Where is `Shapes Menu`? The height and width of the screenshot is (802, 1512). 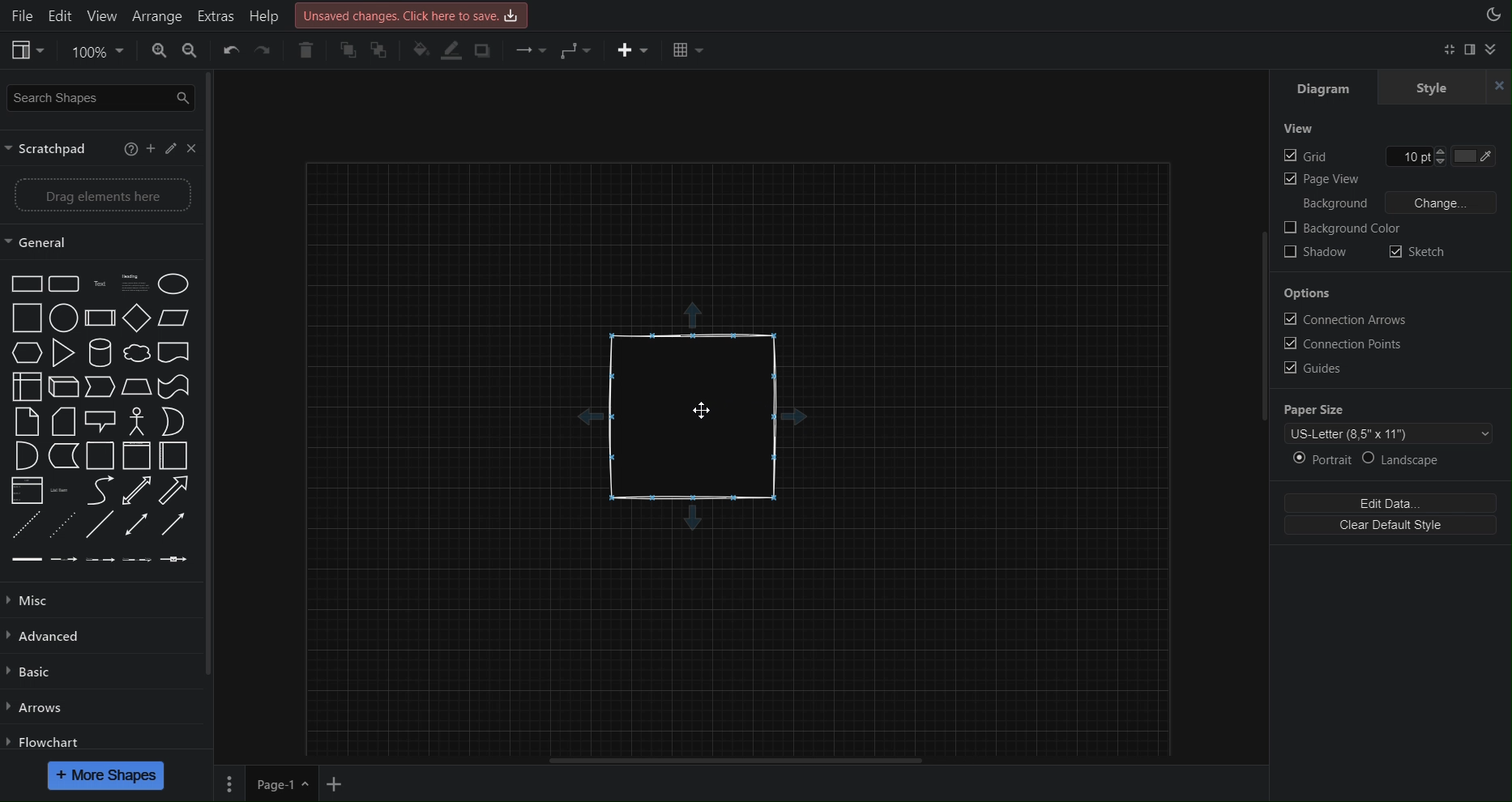 Shapes Menu is located at coordinates (101, 420).